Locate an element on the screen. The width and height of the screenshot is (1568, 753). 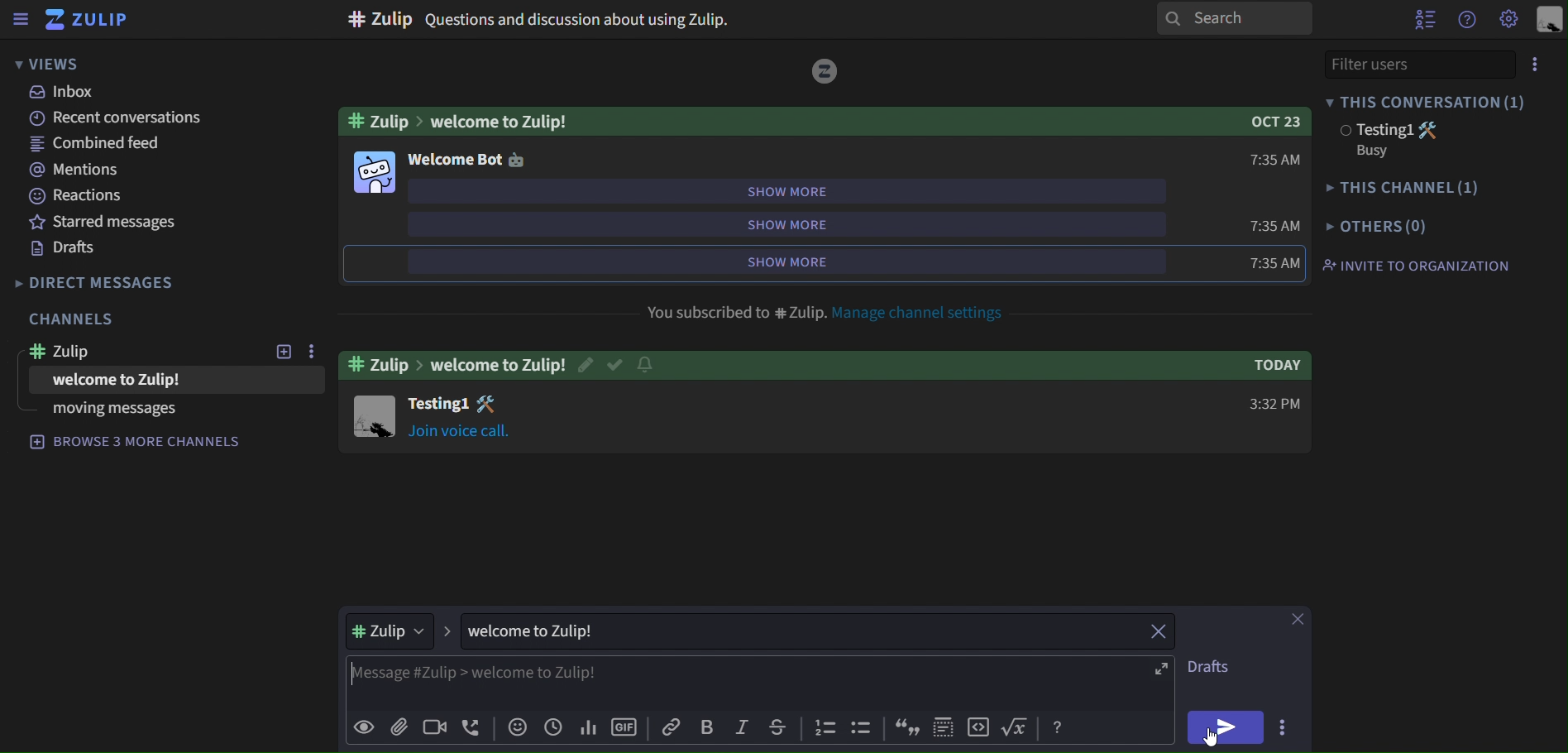
others(0) is located at coordinates (1373, 224).